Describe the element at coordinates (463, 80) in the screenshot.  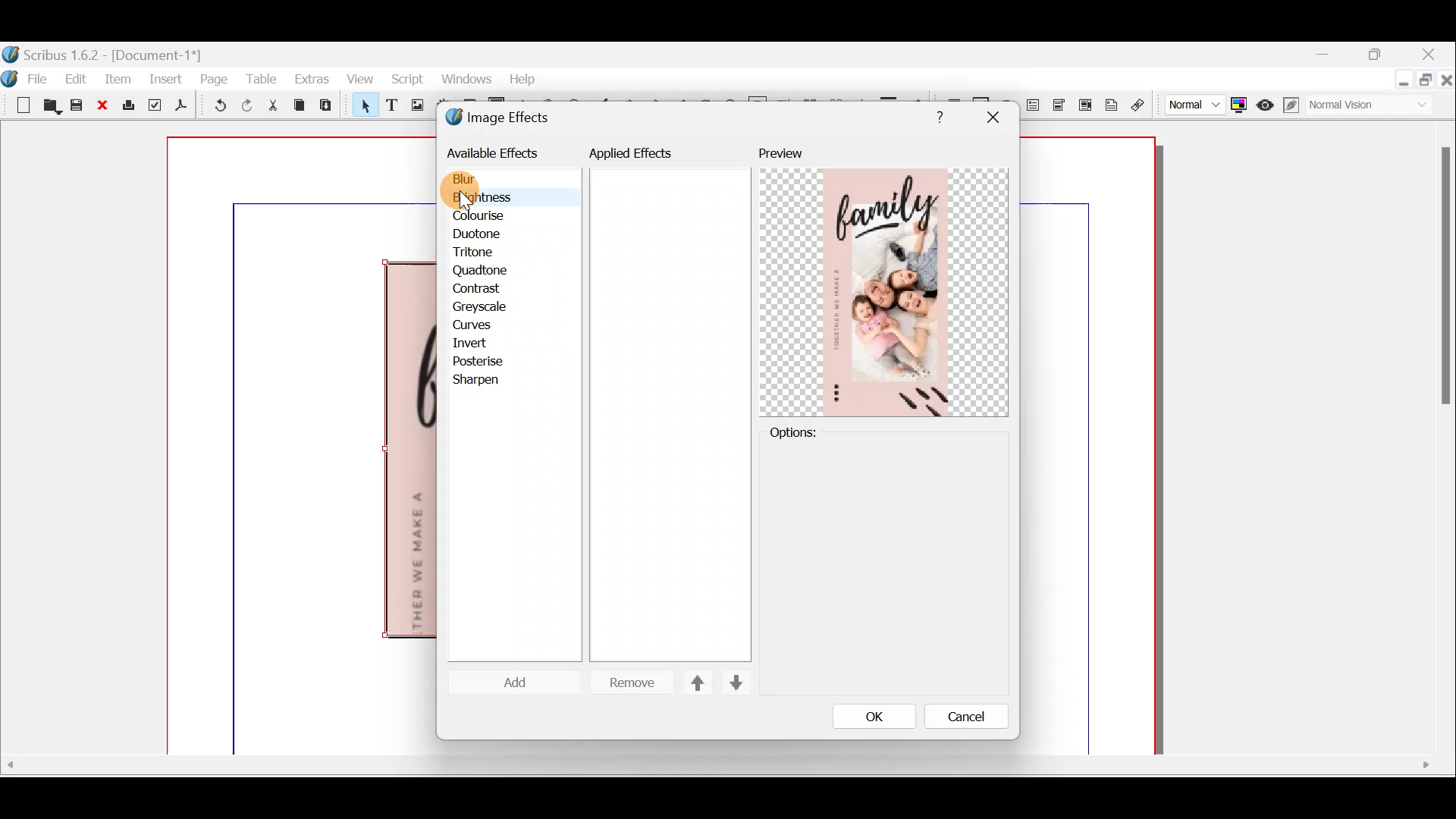
I see `Windows` at that location.